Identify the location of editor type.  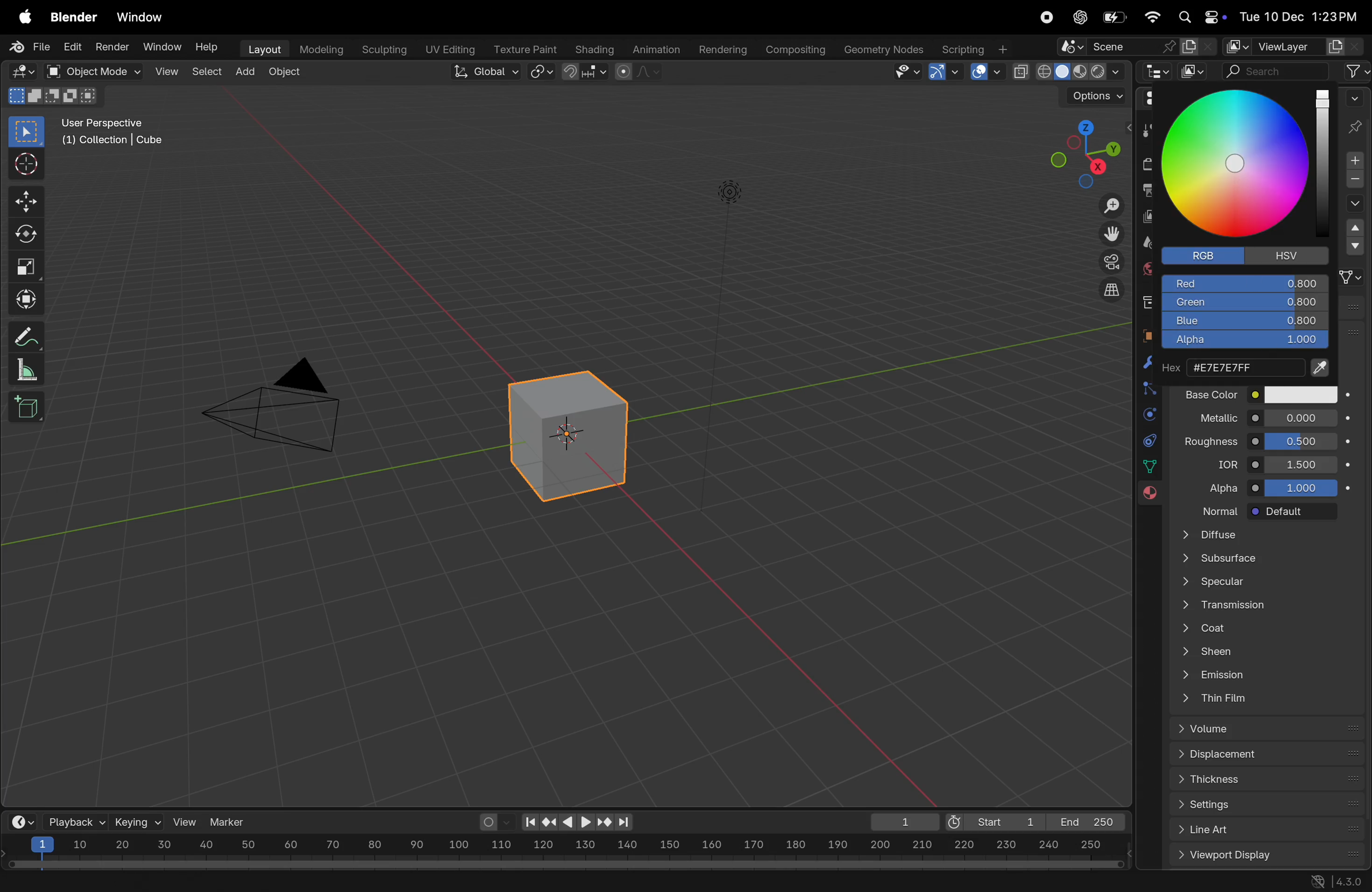
(18, 70).